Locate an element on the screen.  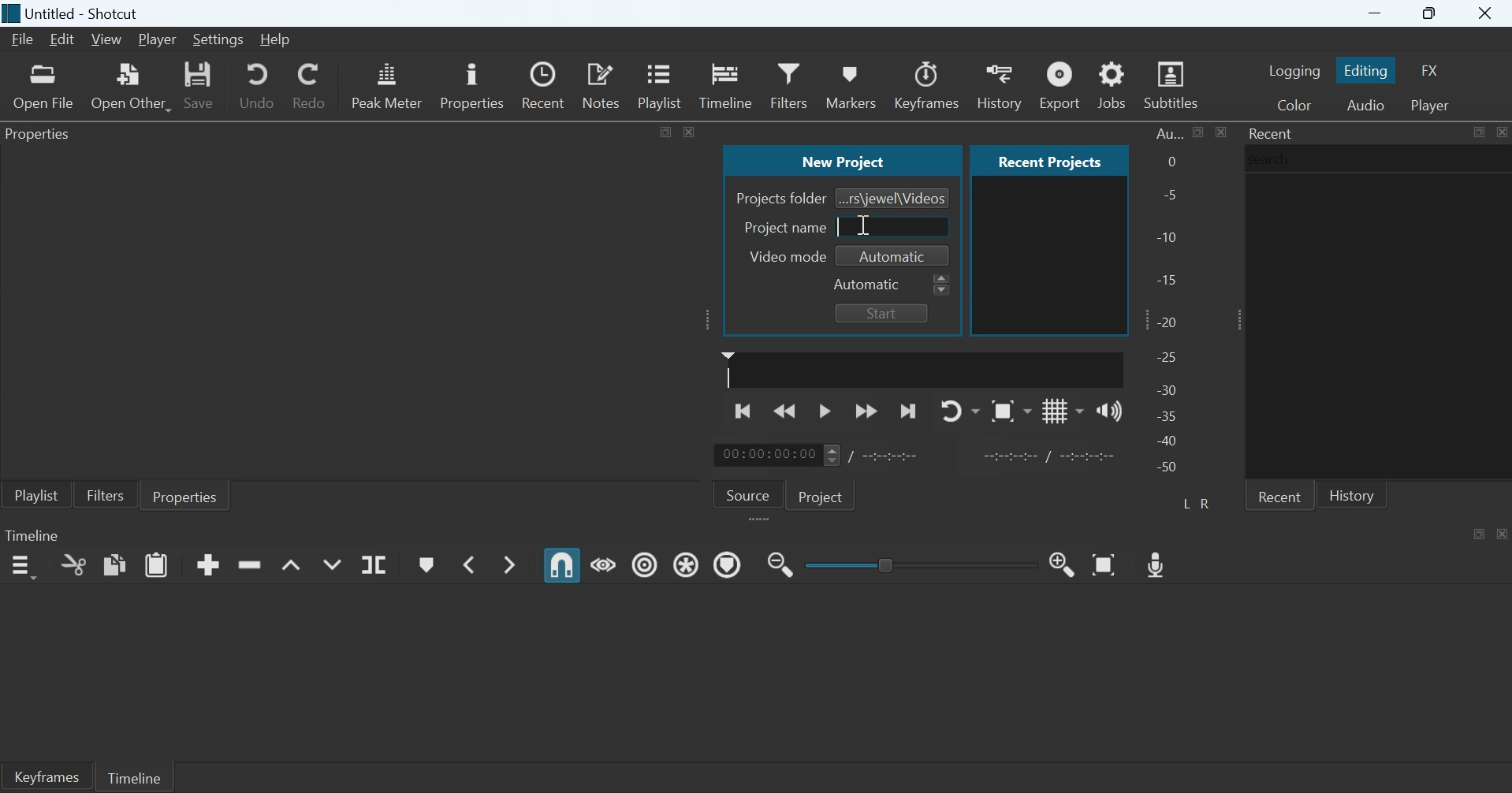
Keyframes is located at coordinates (928, 85).